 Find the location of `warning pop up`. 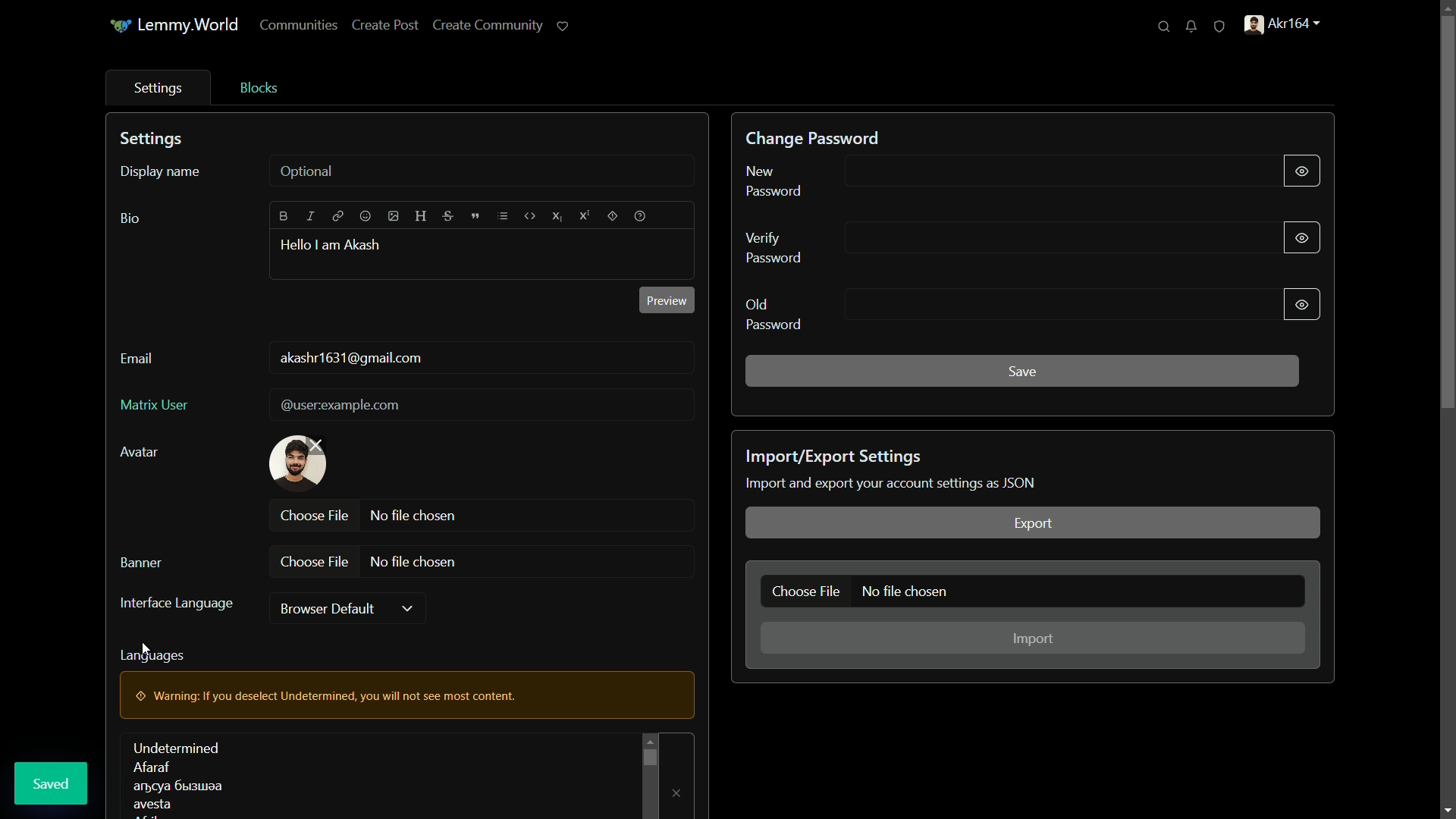

warning pop up is located at coordinates (403, 695).